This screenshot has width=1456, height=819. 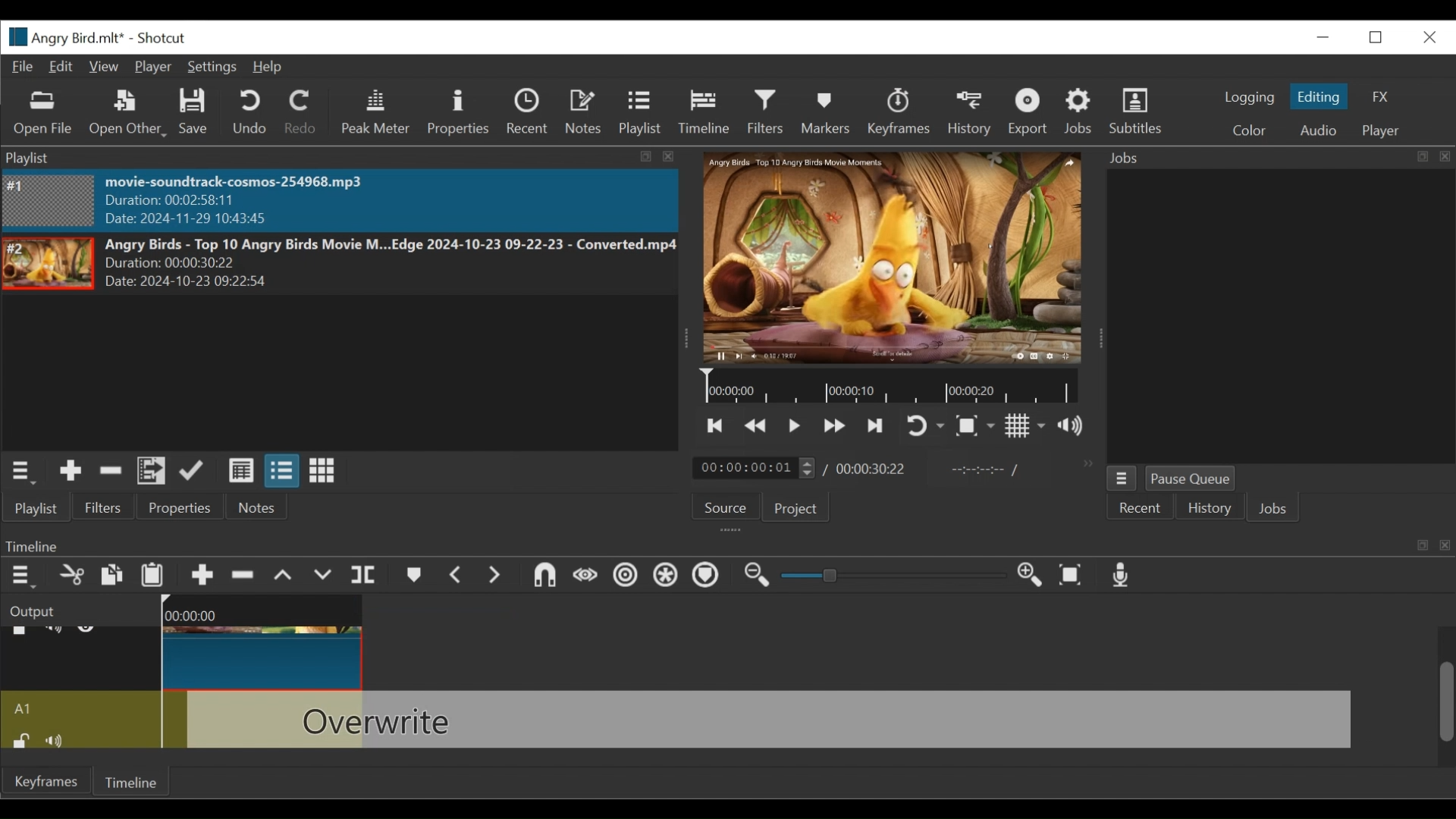 What do you see at coordinates (71, 471) in the screenshot?
I see `Add the source to the playlist` at bounding box center [71, 471].